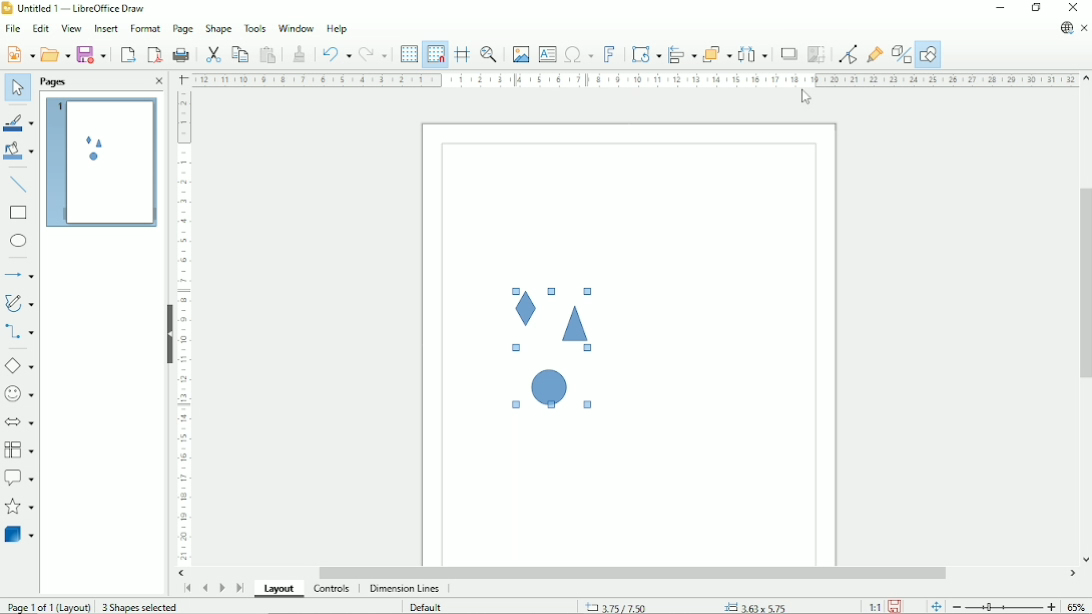 The width and height of the screenshot is (1092, 614). Describe the element at coordinates (185, 573) in the screenshot. I see `Horizontal scroll button` at that location.